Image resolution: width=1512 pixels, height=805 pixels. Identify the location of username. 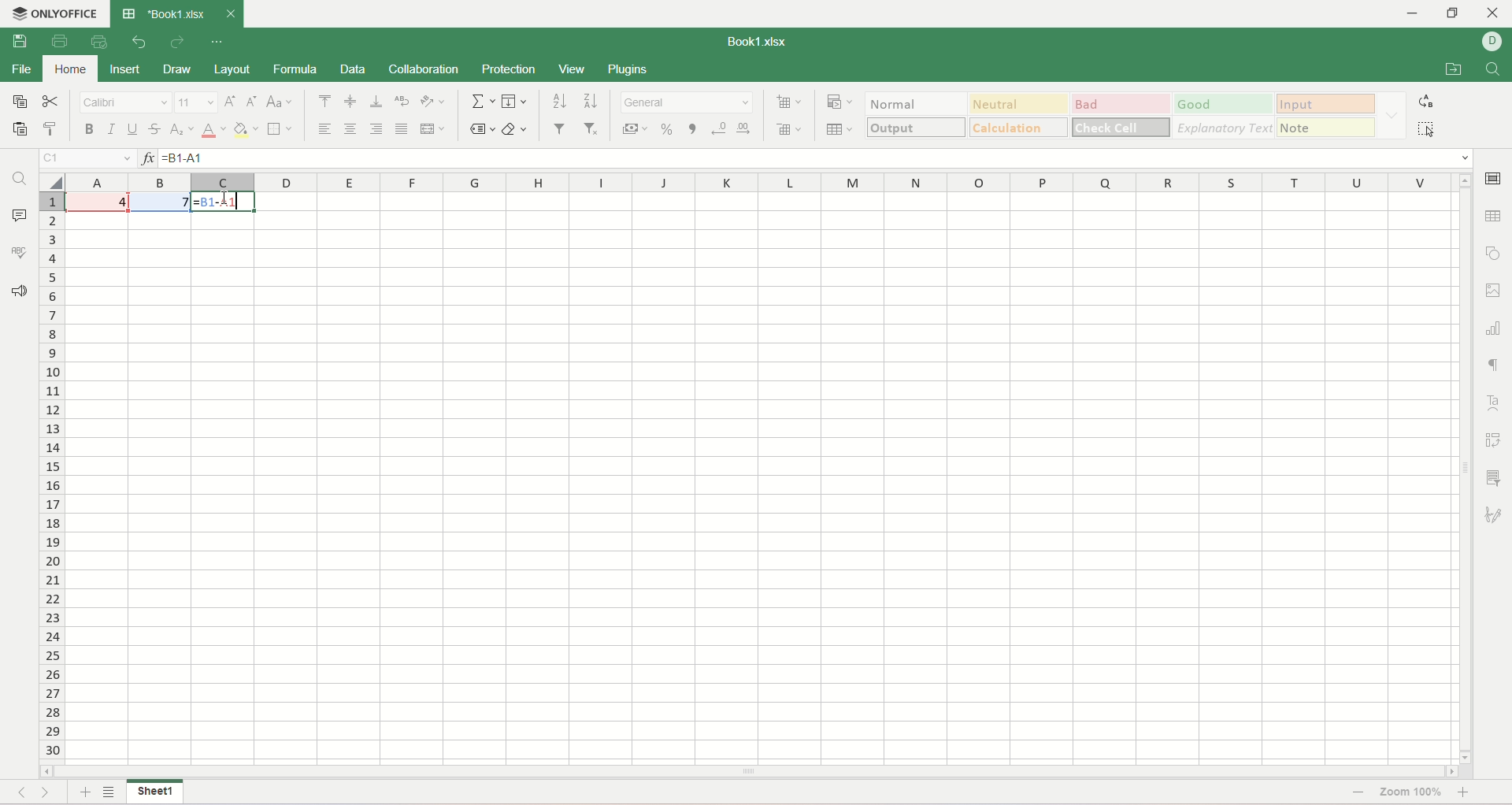
(1492, 43).